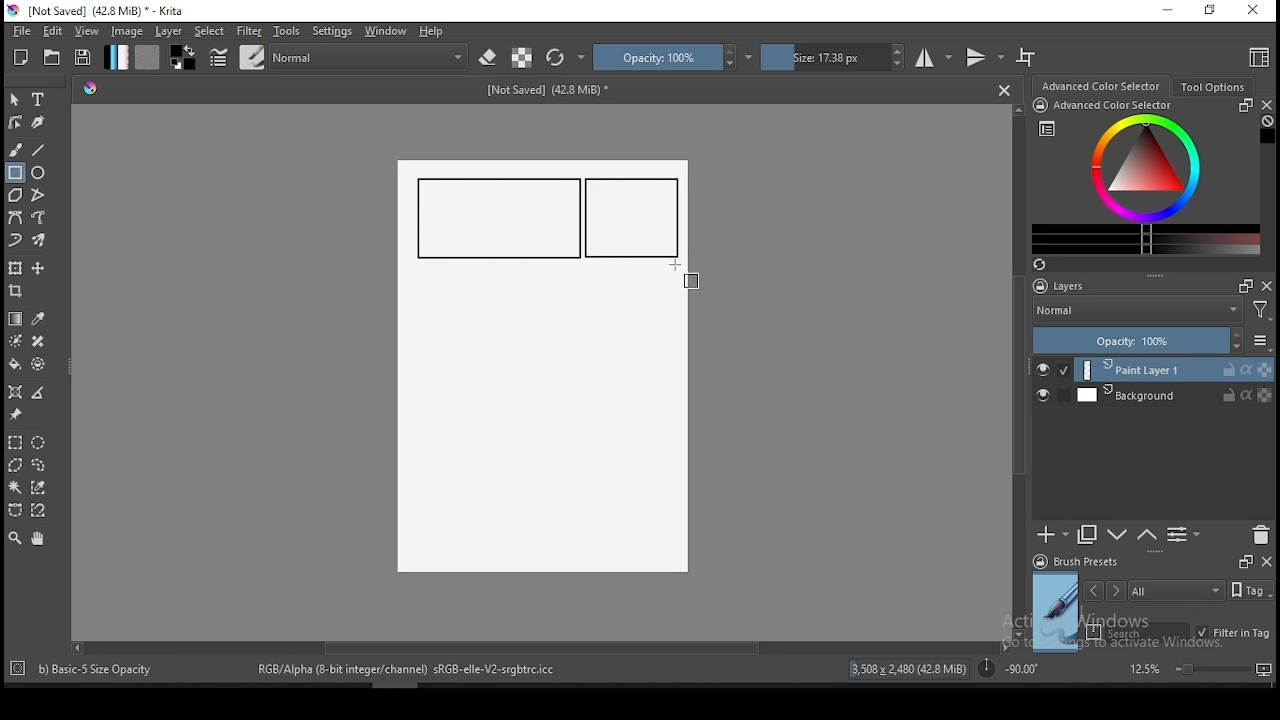  What do you see at coordinates (17, 149) in the screenshot?
I see `brush tool` at bounding box center [17, 149].